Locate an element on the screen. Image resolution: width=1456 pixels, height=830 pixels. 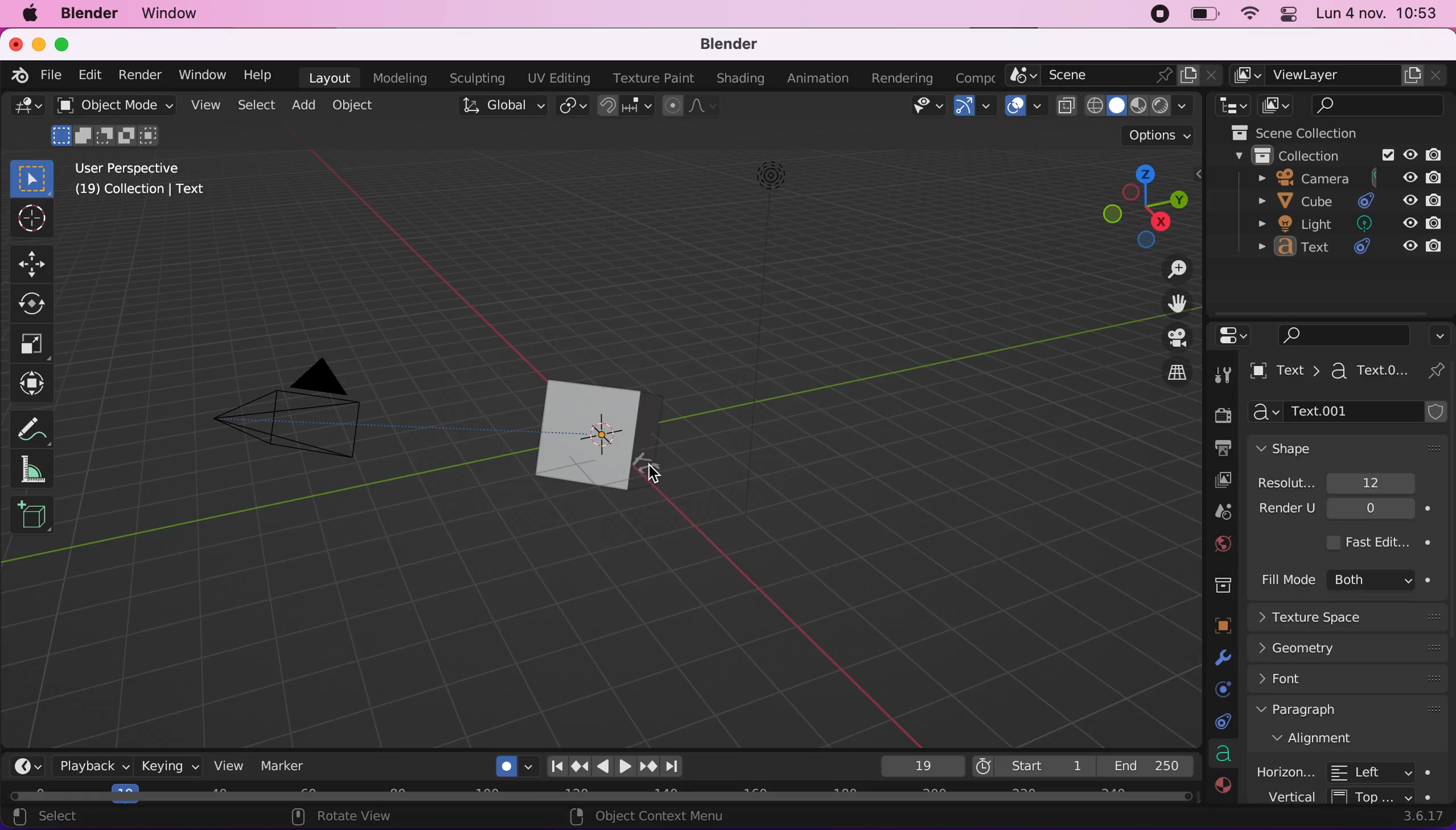
resolution is located at coordinates (1345, 483).